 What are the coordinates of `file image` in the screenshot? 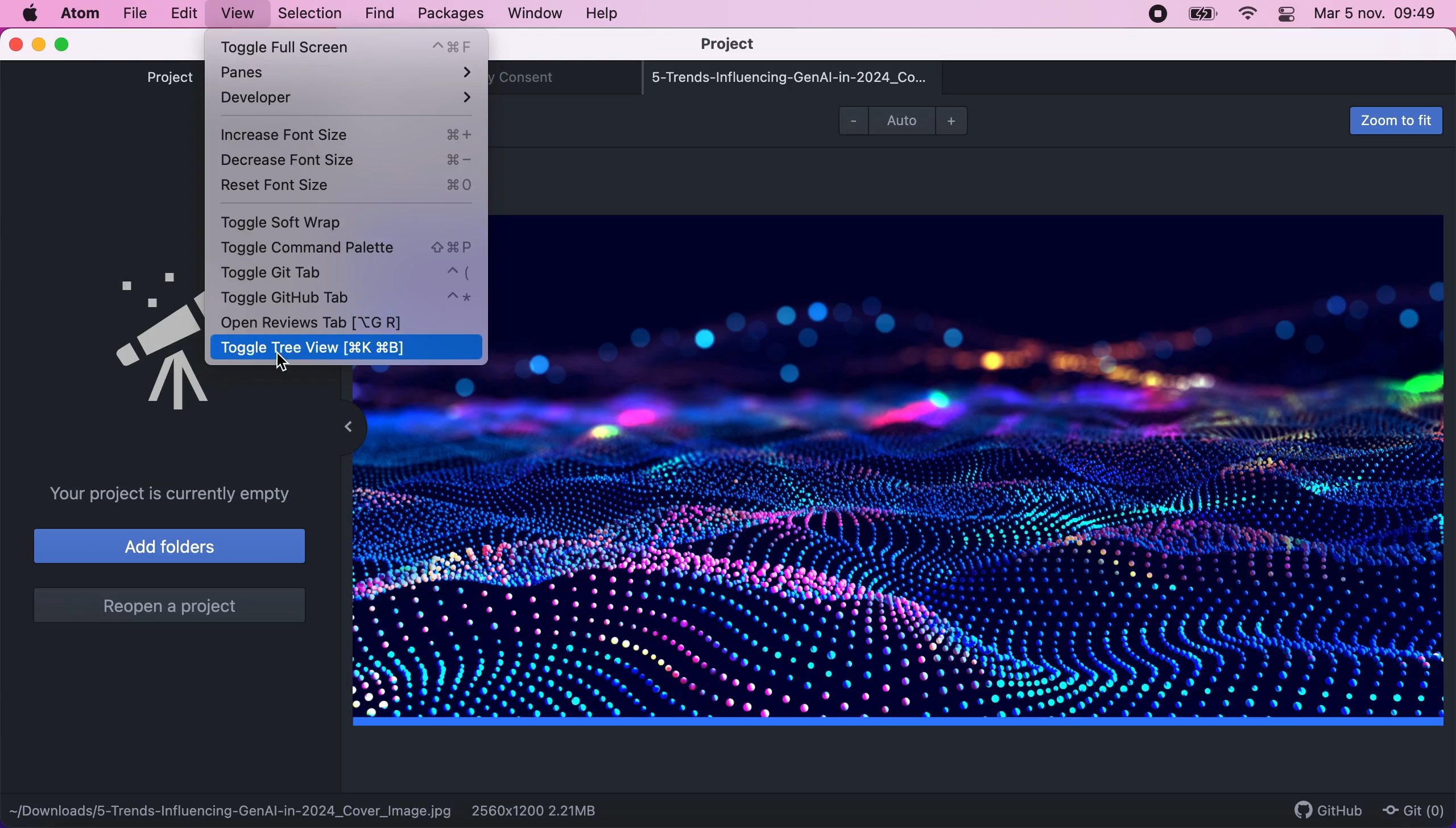 It's located at (971, 475).